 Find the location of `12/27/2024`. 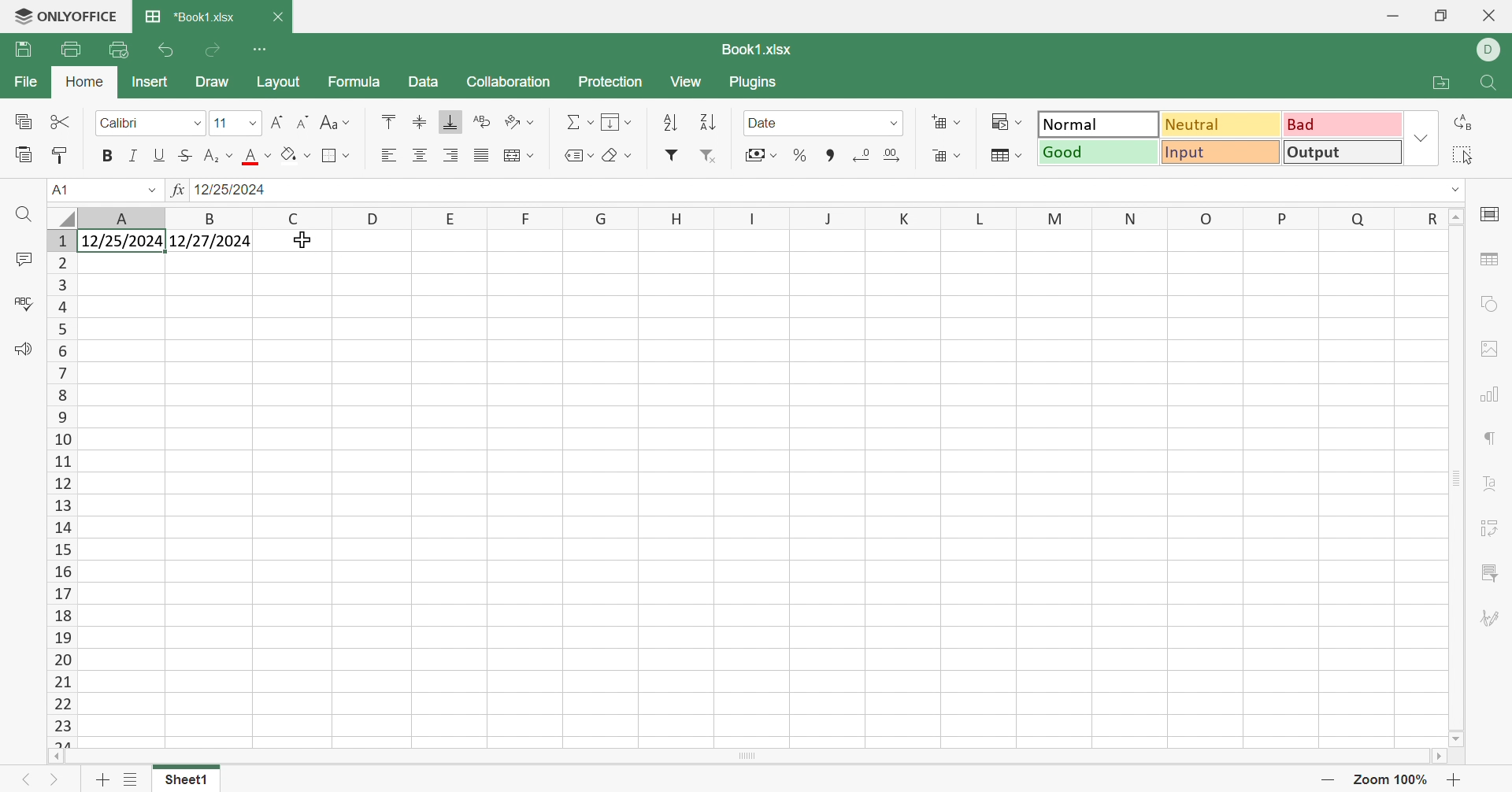

12/27/2024 is located at coordinates (218, 240).